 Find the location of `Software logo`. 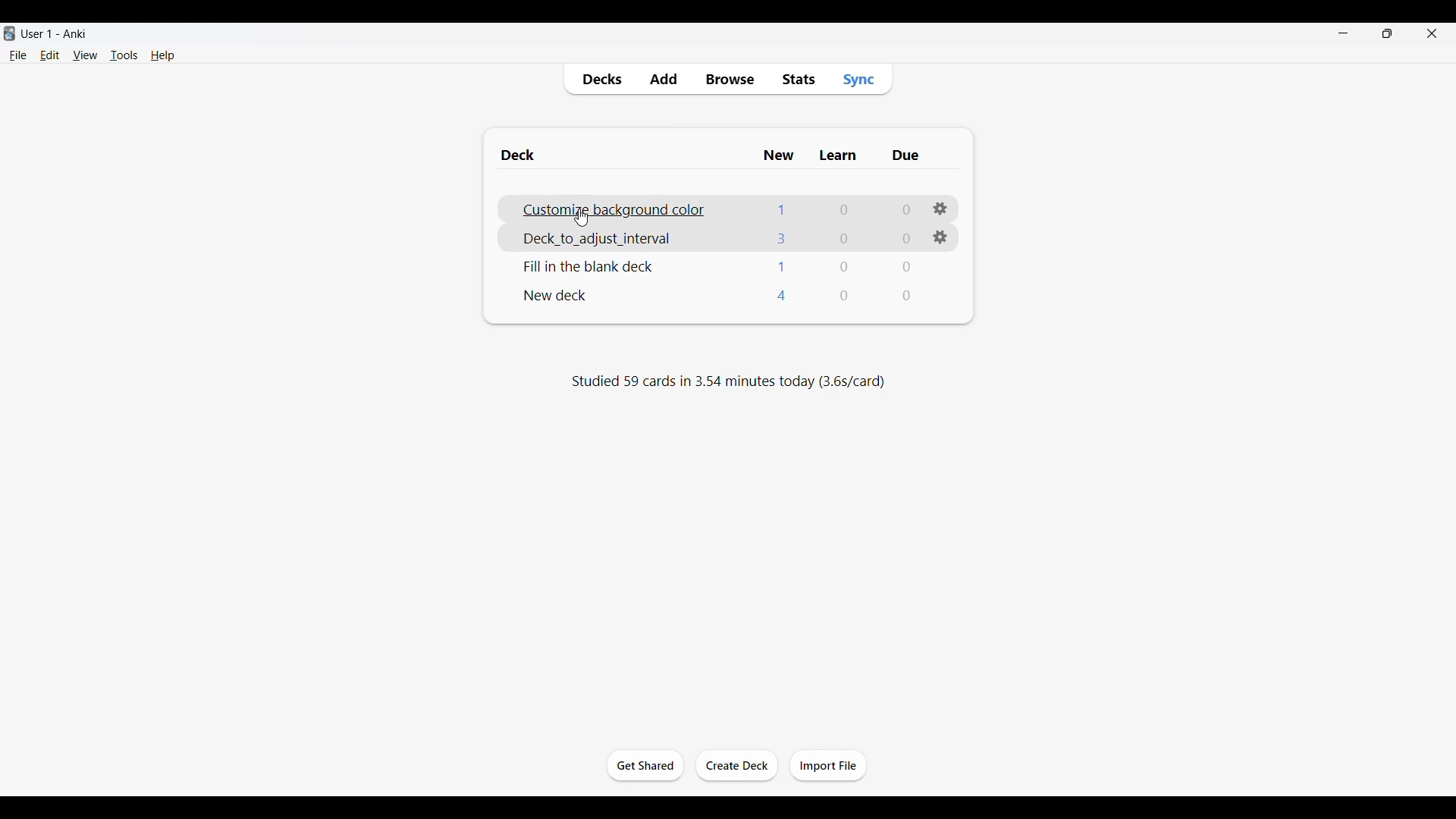

Software logo is located at coordinates (9, 33).